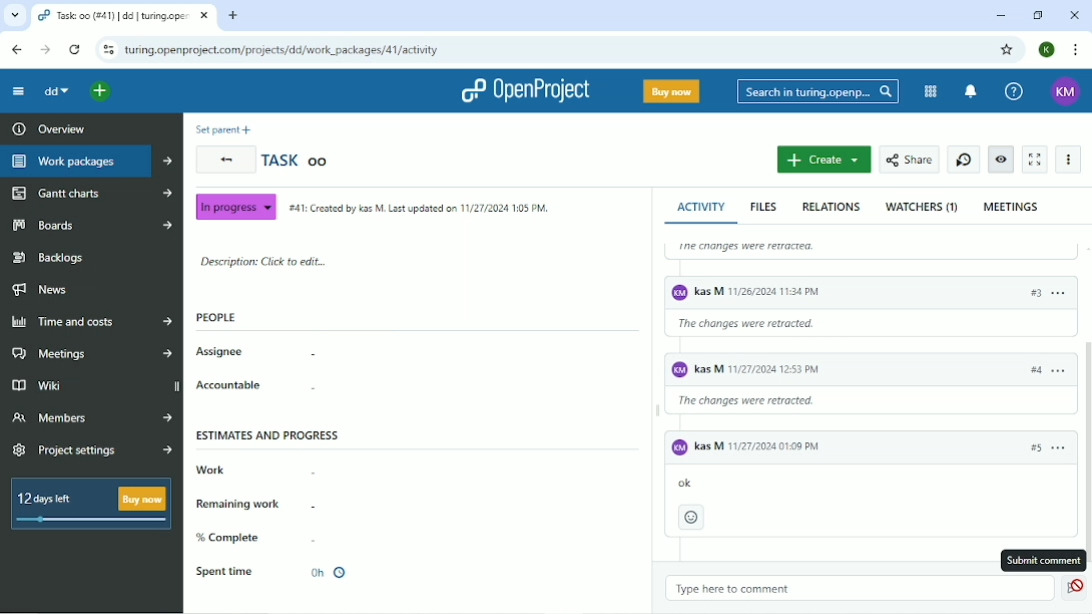 This screenshot has height=614, width=1092. What do you see at coordinates (1047, 49) in the screenshot?
I see `K` at bounding box center [1047, 49].